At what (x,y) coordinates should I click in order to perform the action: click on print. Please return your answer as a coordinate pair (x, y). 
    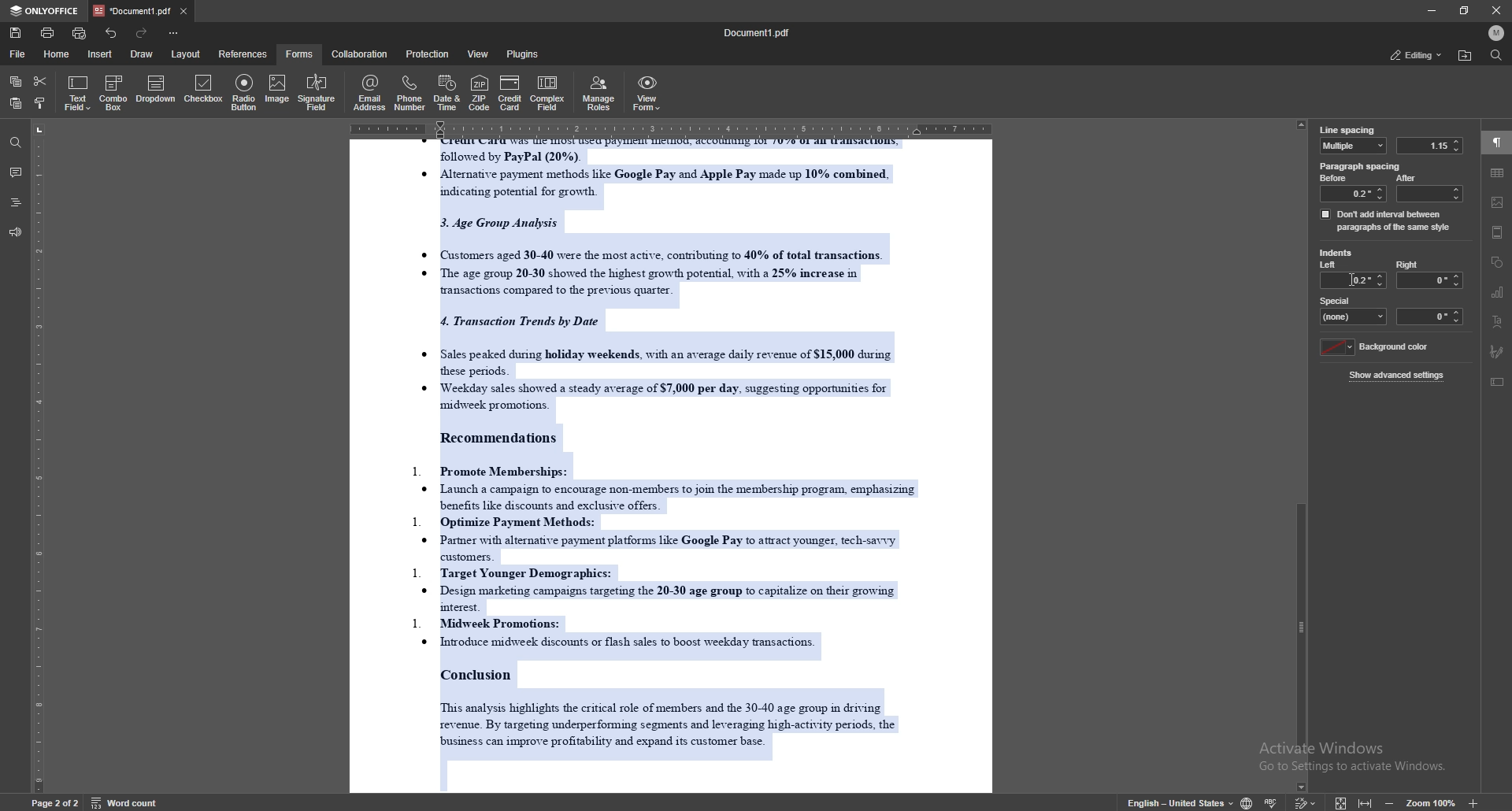
    Looking at the image, I should click on (48, 32).